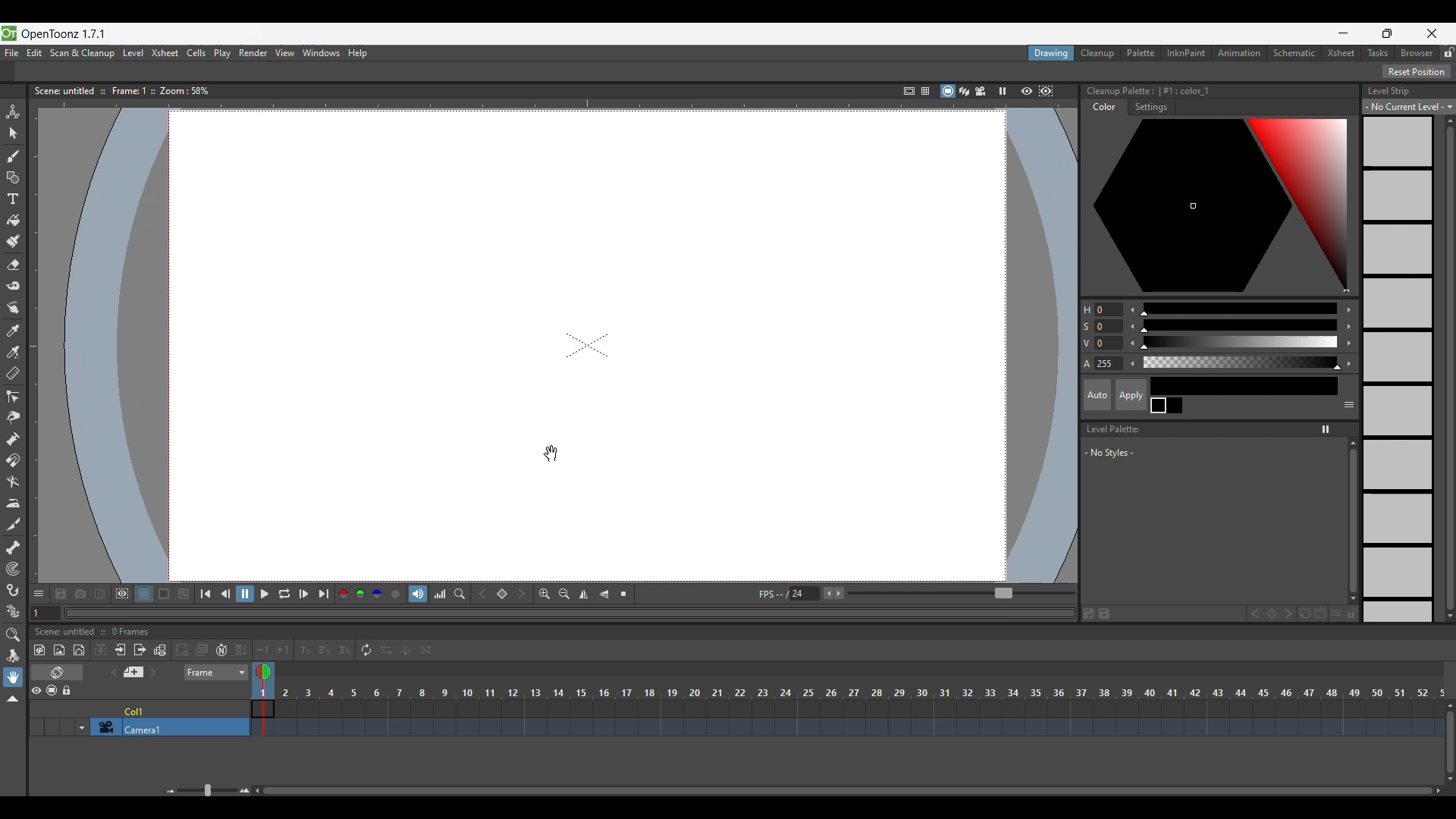 The height and width of the screenshot is (819, 1456). Describe the element at coordinates (13, 397) in the screenshot. I see `Control point editor tool` at that location.